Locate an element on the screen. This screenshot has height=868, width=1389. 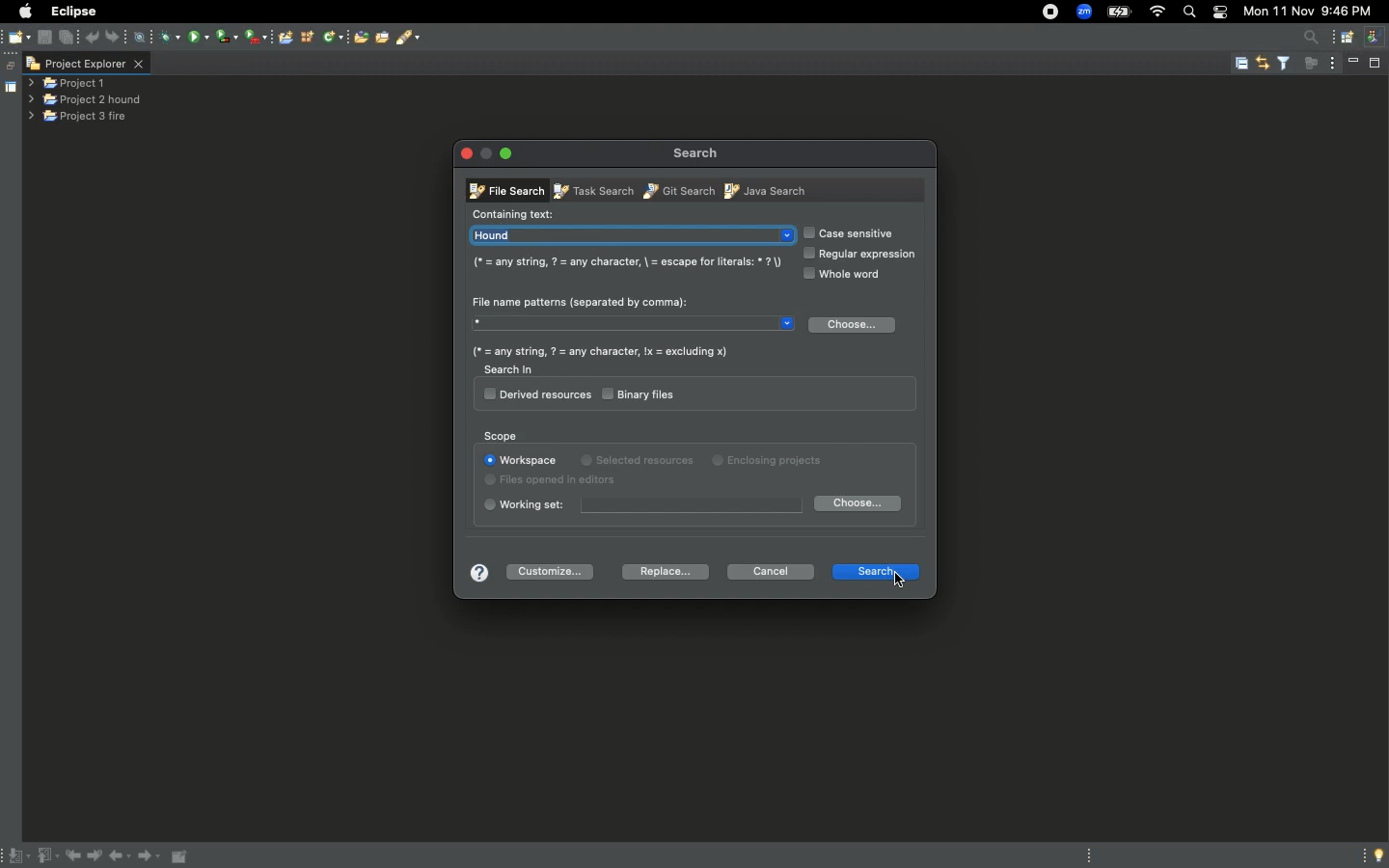
Notification is located at coordinates (1218, 14).